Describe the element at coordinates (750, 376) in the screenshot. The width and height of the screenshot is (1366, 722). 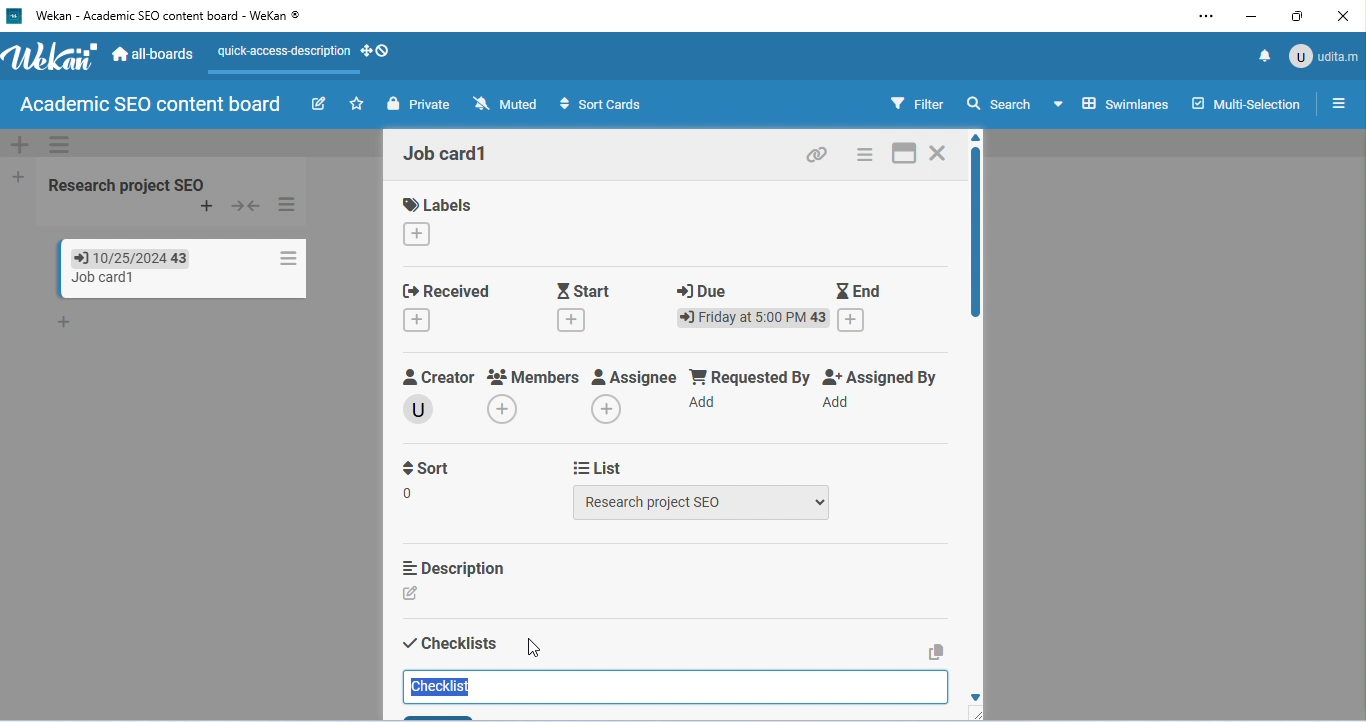
I see `requested by` at that location.